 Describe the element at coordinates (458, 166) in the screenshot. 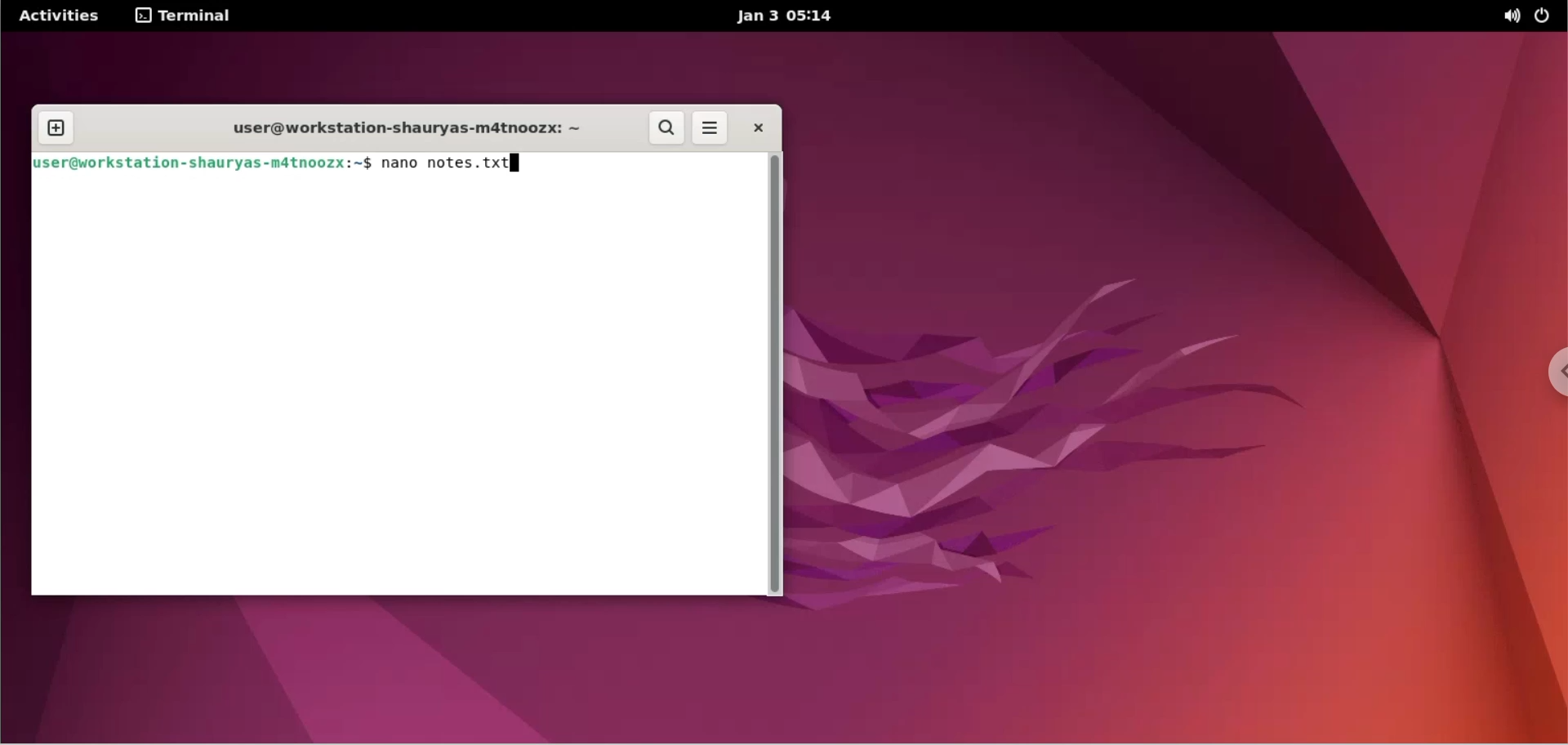

I see `nano notes.txt` at that location.